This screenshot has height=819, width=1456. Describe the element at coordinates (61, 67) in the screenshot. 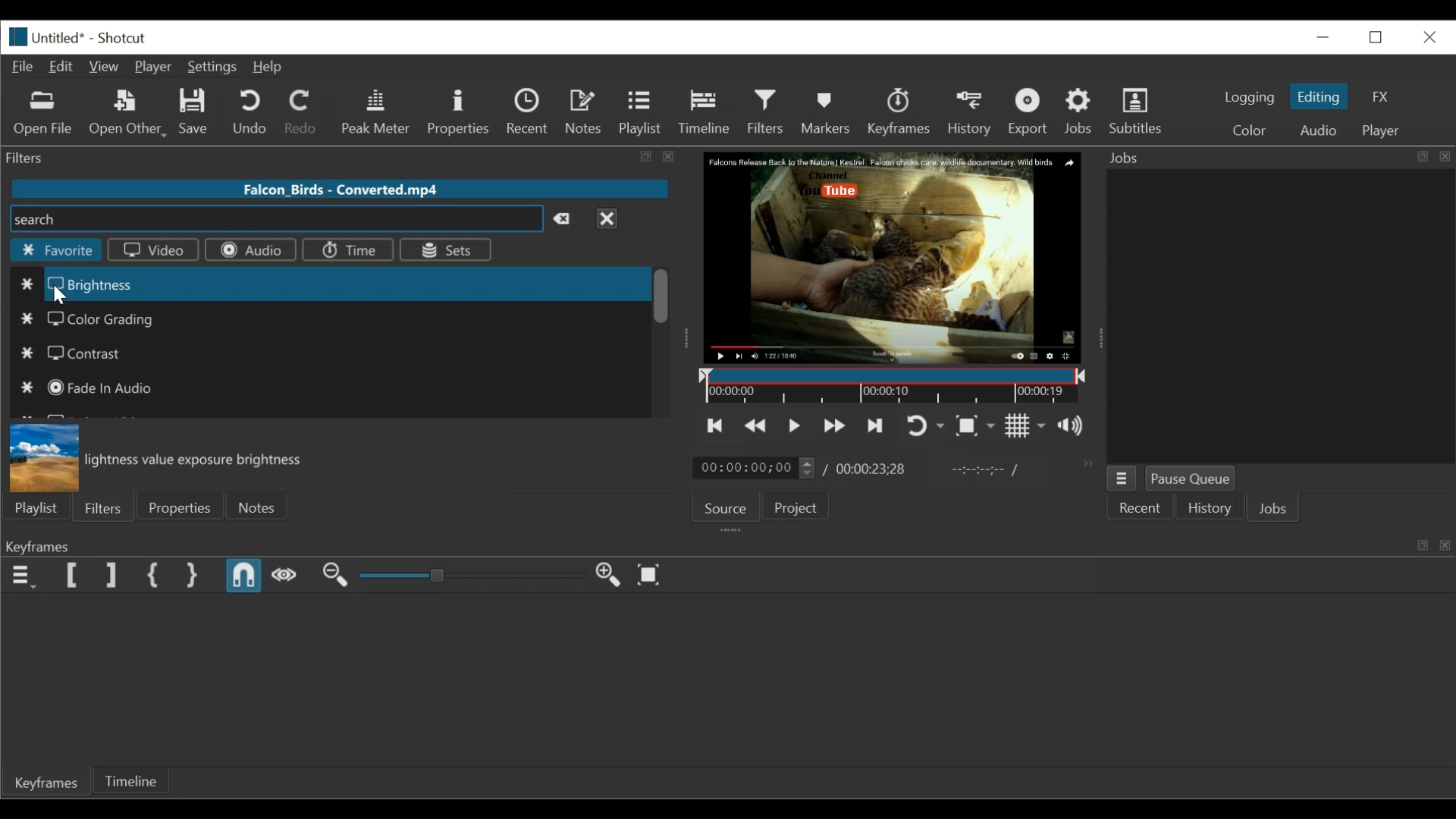

I see `Edit` at that location.